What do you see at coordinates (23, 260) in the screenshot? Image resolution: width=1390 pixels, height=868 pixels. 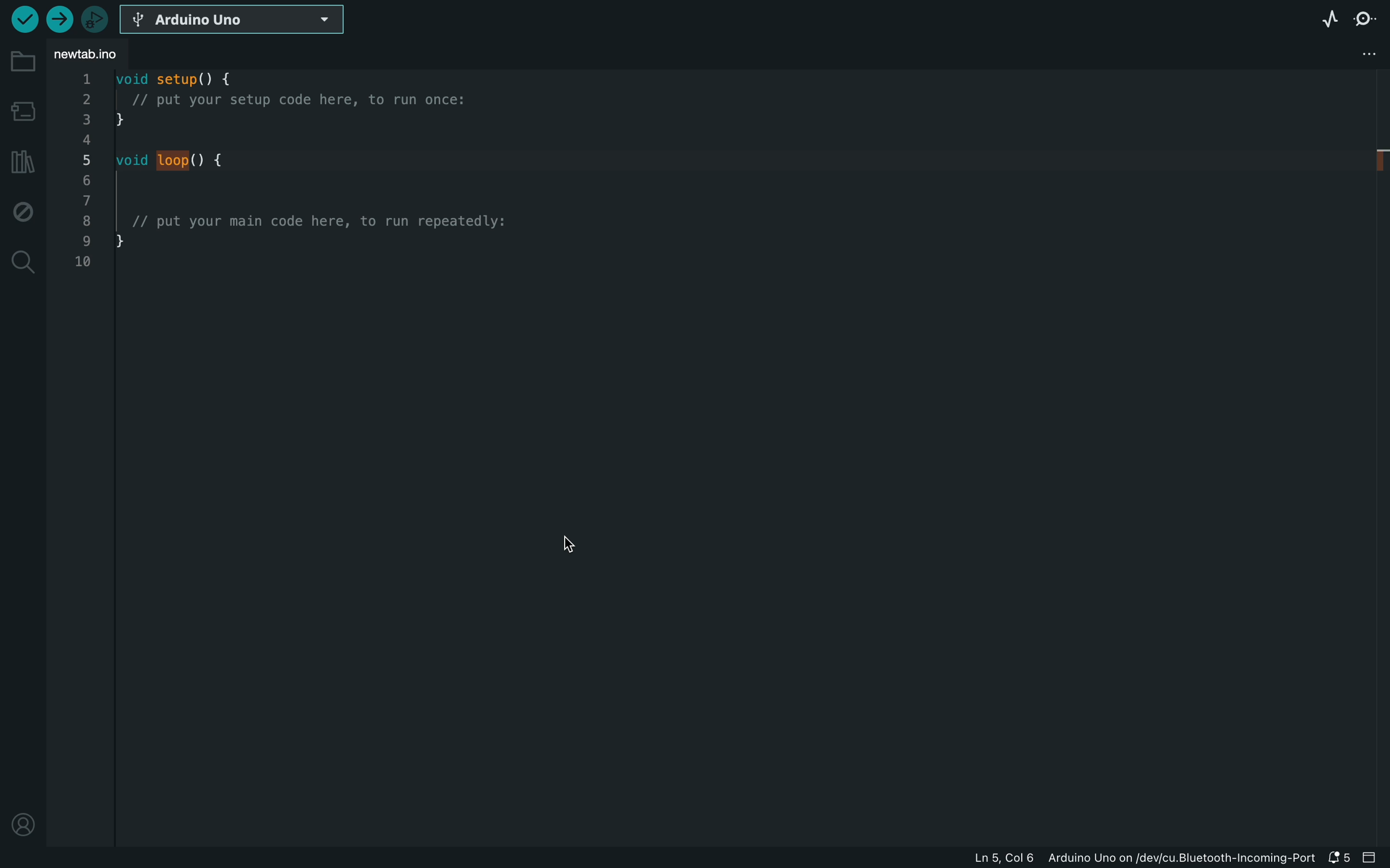 I see `search` at bounding box center [23, 260].